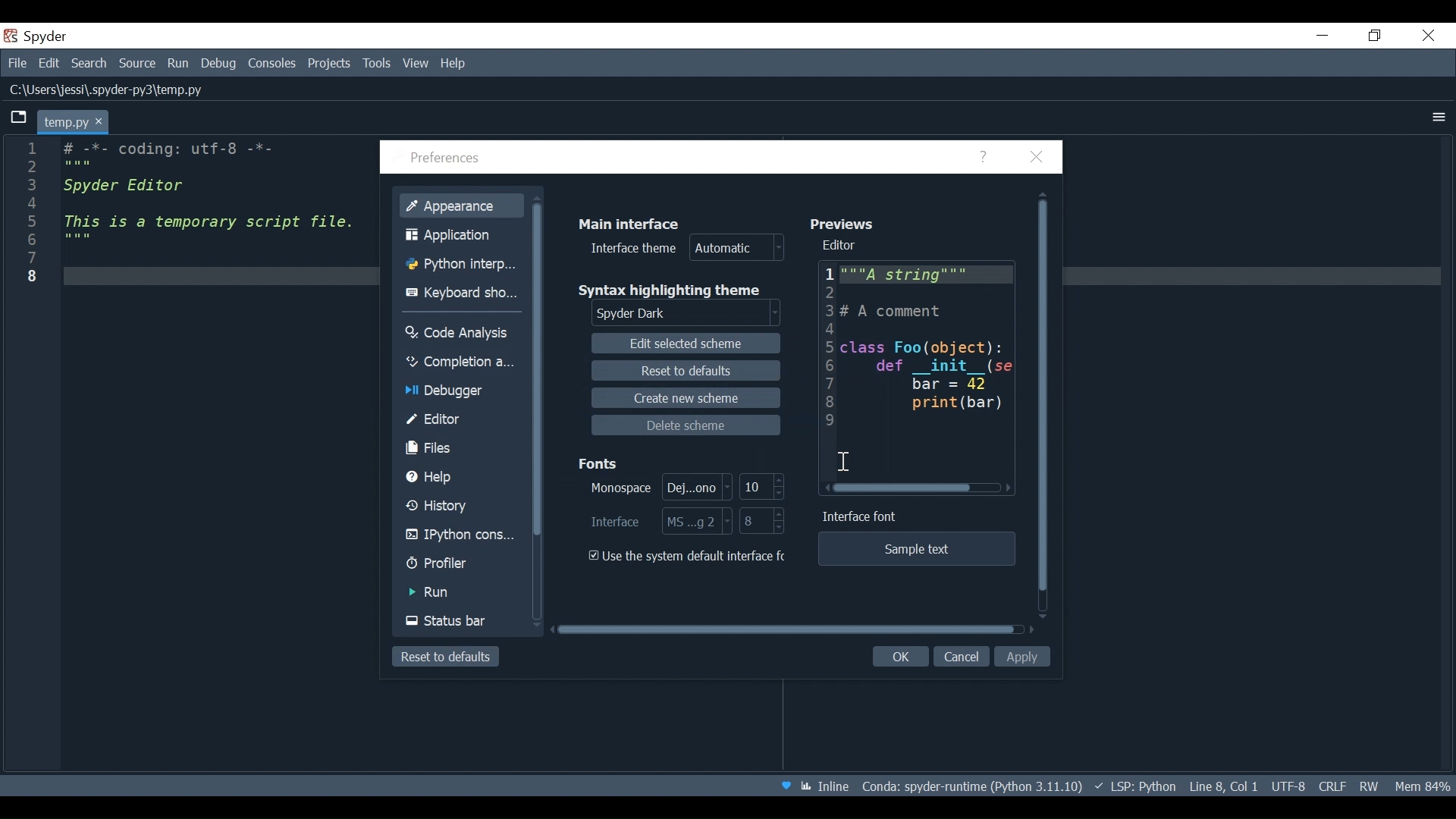  I want to click on Fonts, so click(602, 461).